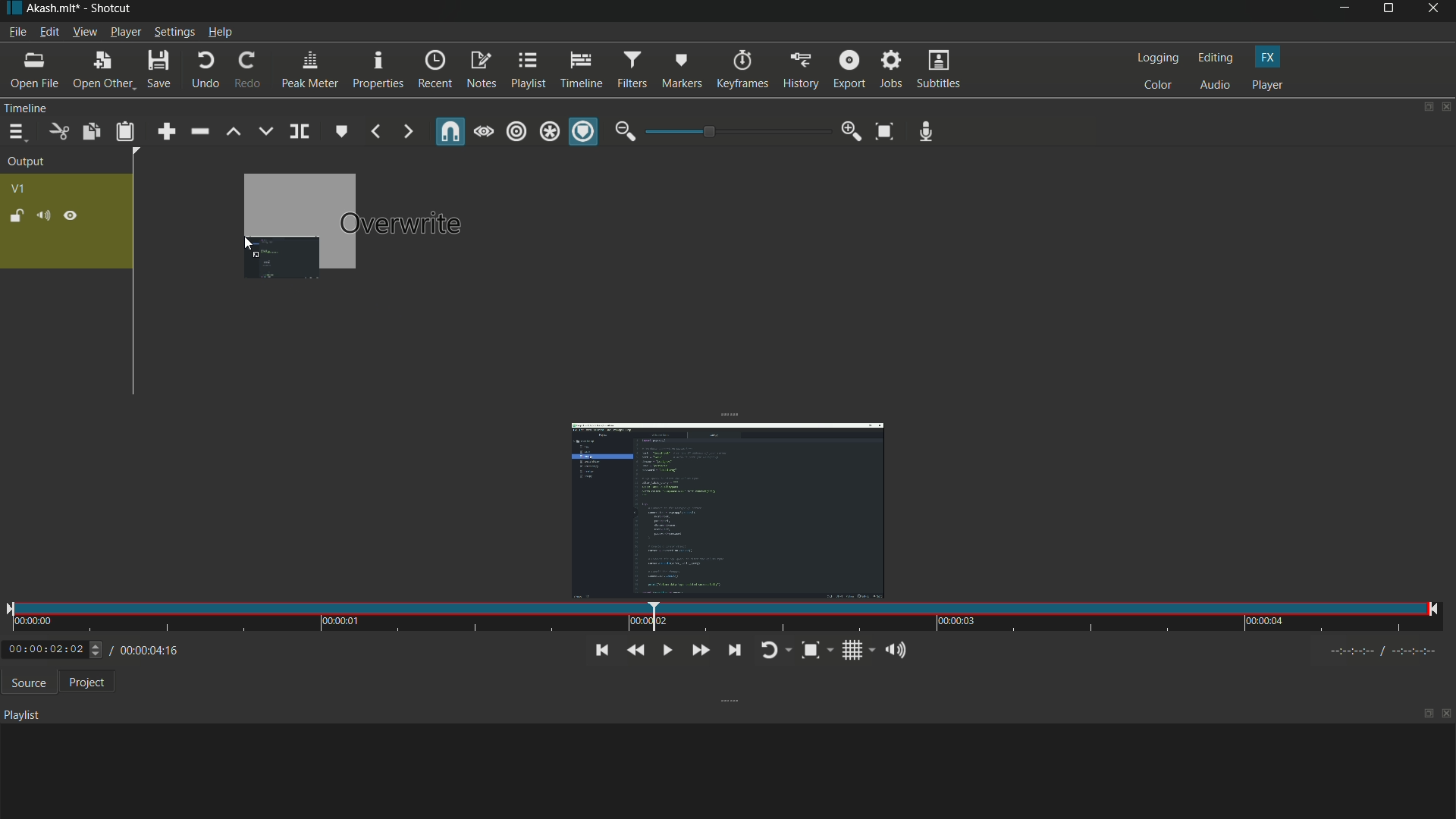  I want to click on jobs, so click(891, 71).